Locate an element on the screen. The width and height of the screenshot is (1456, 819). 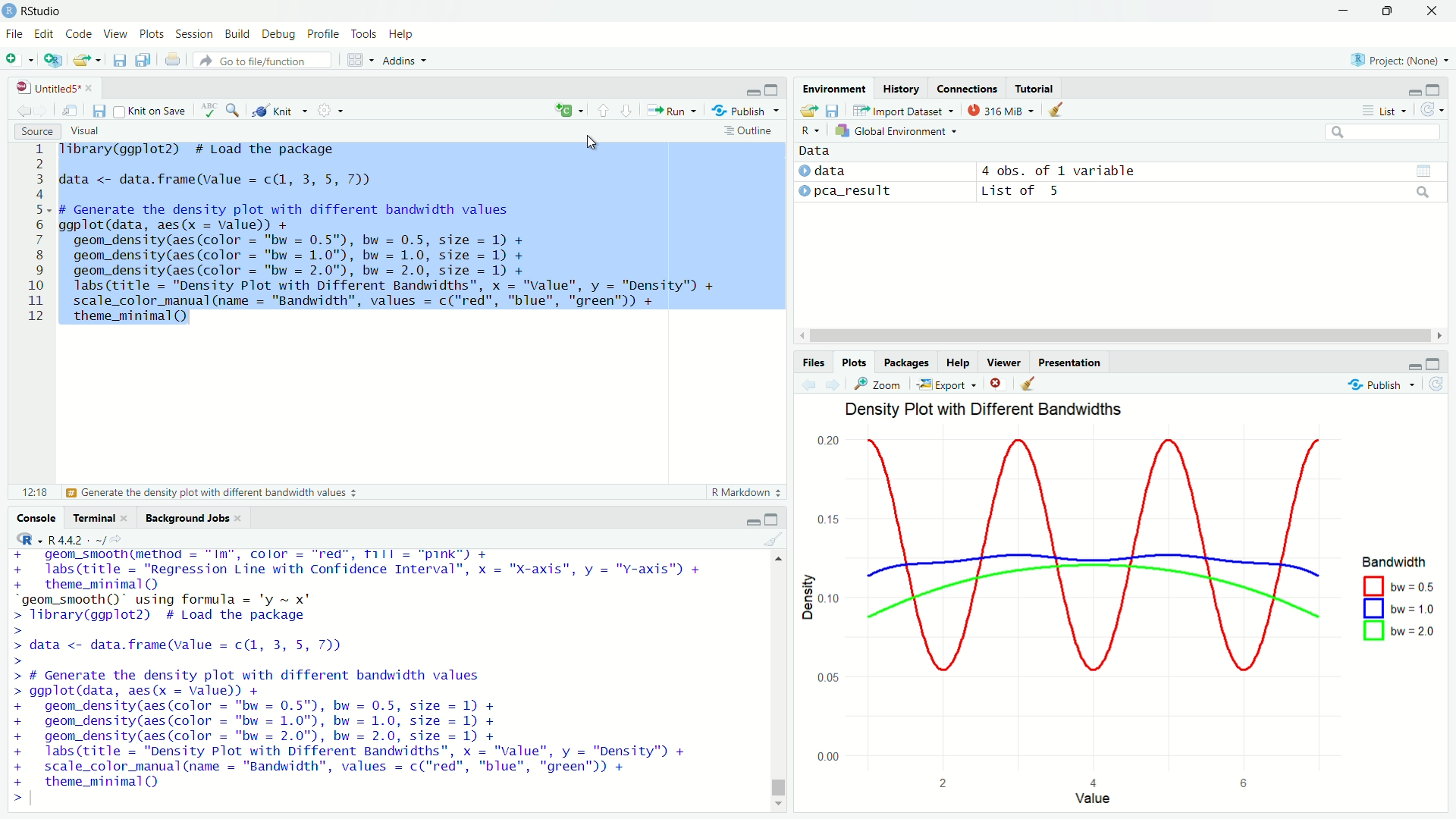
316 MiB is located at coordinates (1000, 110).